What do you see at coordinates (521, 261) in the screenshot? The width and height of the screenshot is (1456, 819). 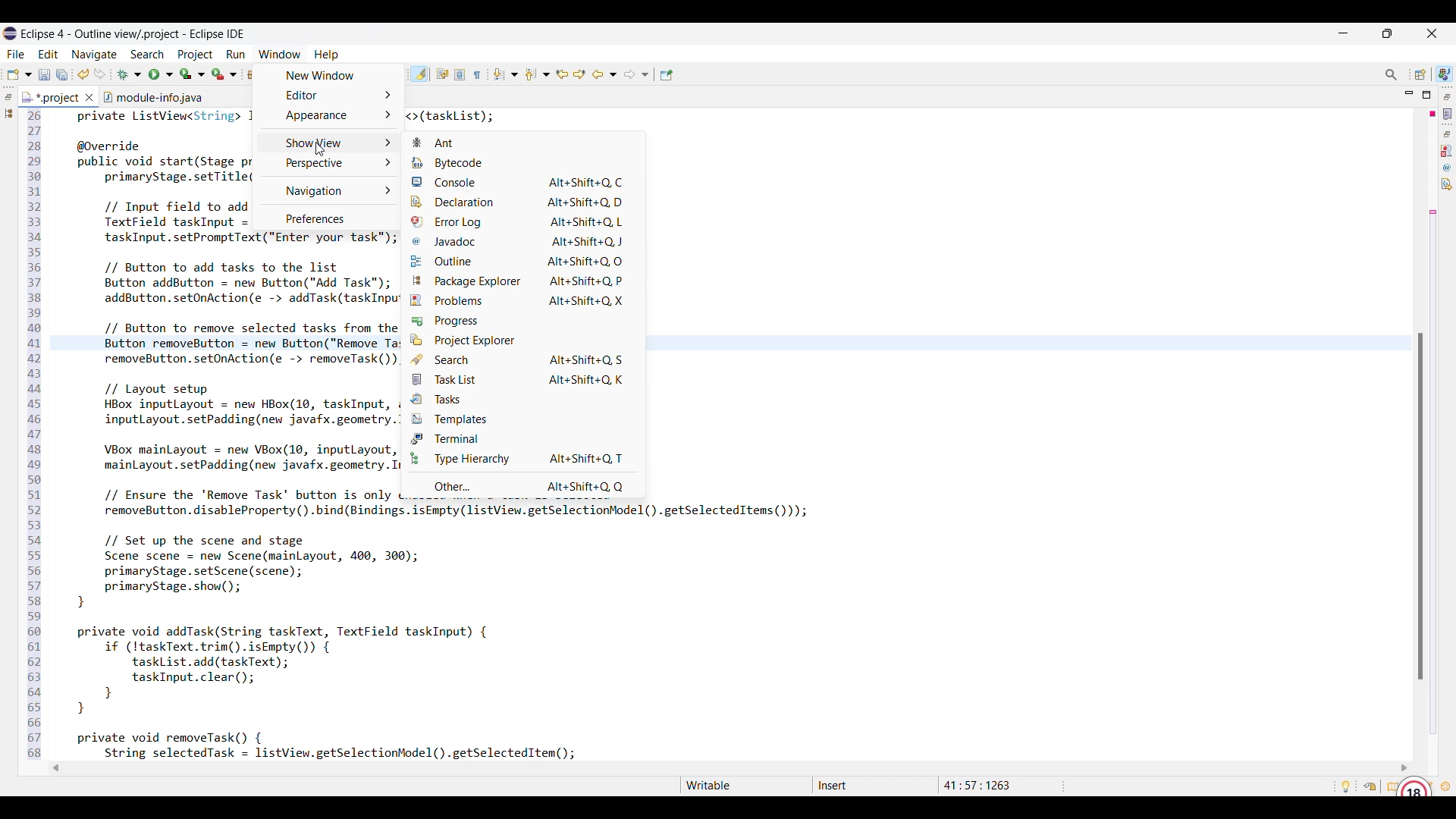 I see `Outline` at bounding box center [521, 261].